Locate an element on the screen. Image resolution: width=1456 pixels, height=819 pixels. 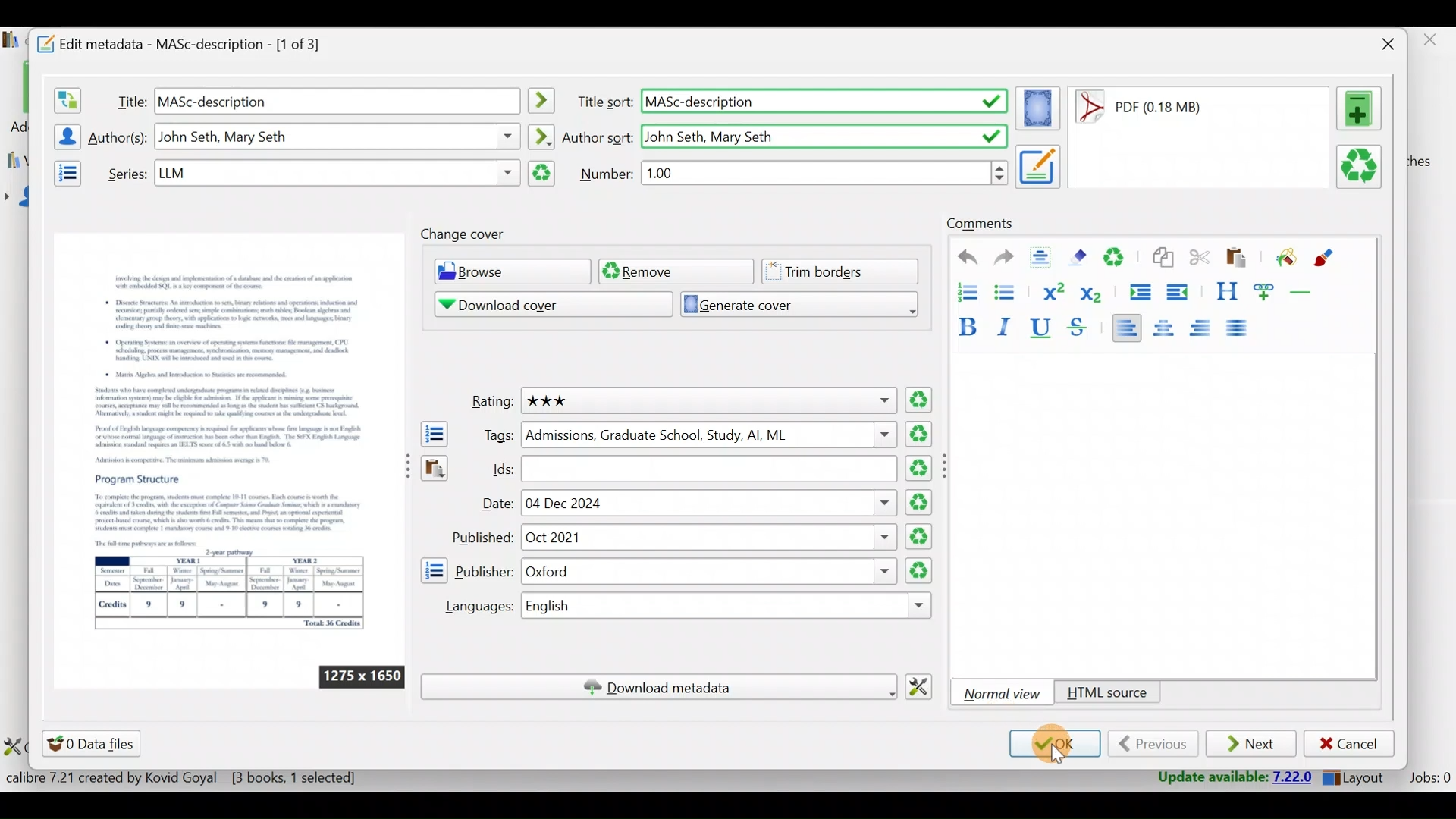
Insert separator is located at coordinates (1306, 292).